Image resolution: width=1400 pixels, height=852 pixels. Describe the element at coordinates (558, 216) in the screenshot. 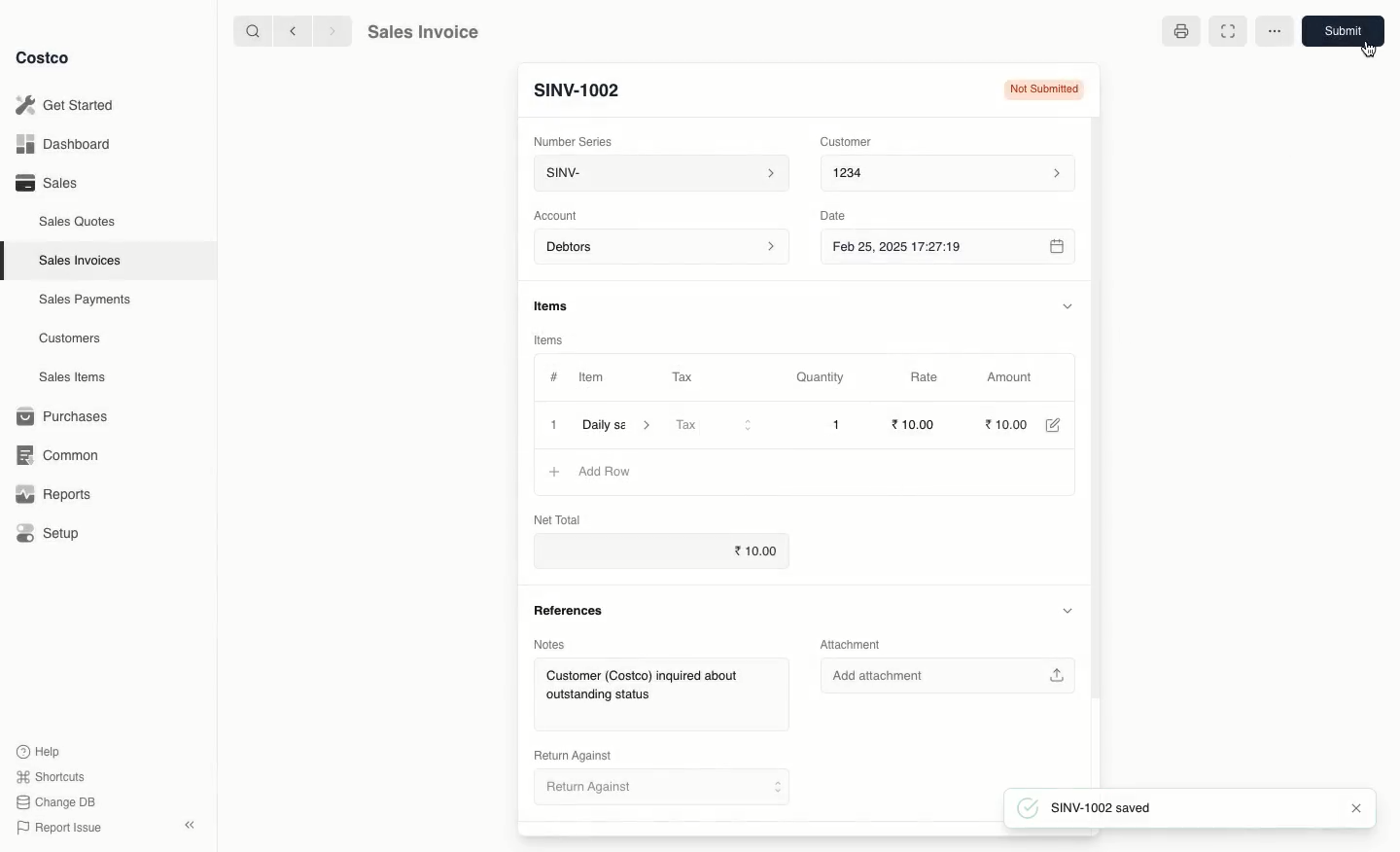

I see `‘Account` at that location.